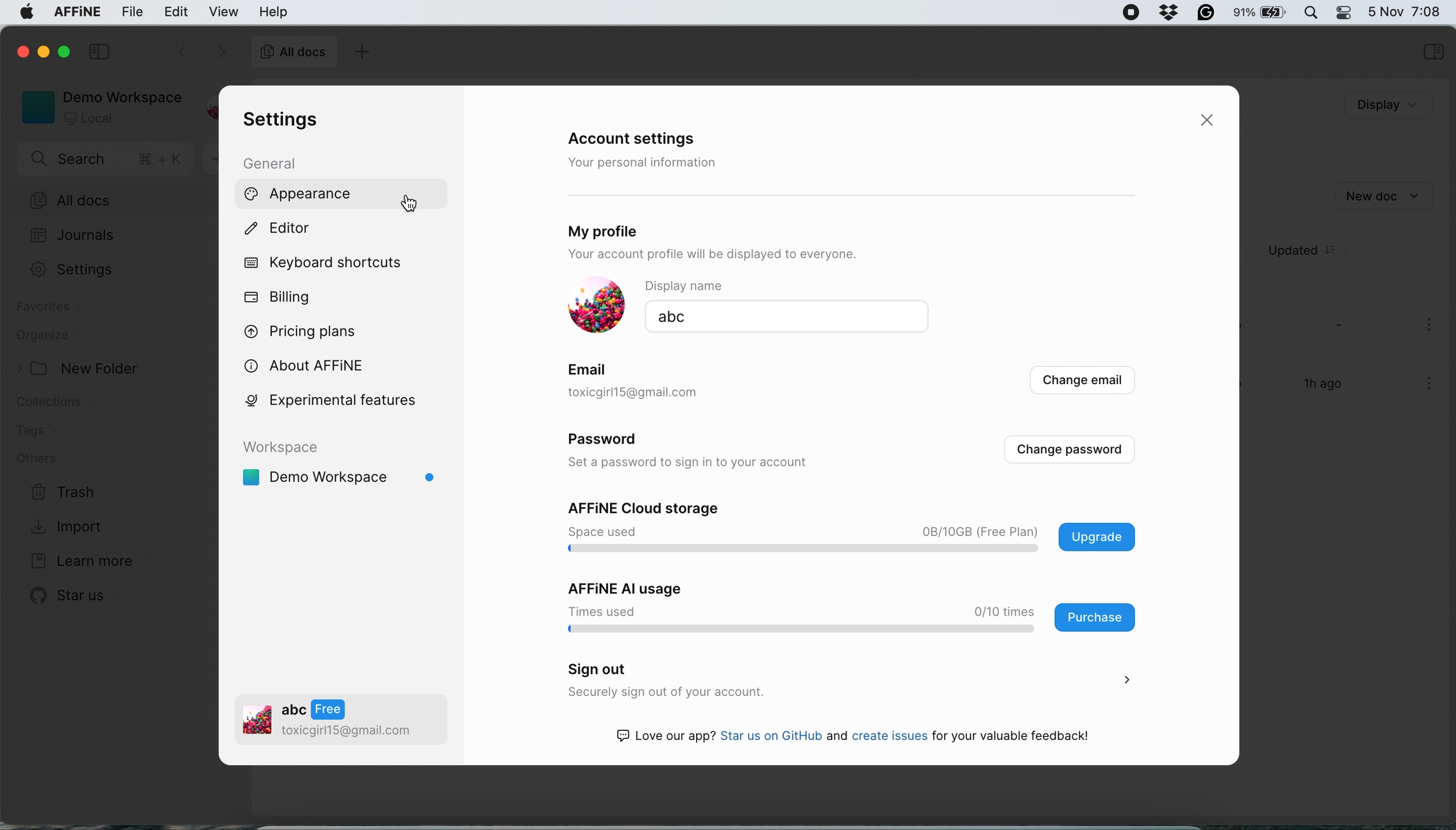 The width and height of the screenshot is (1456, 830). Describe the element at coordinates (597, 306) in the screenshot. I see `display picture` at that location.